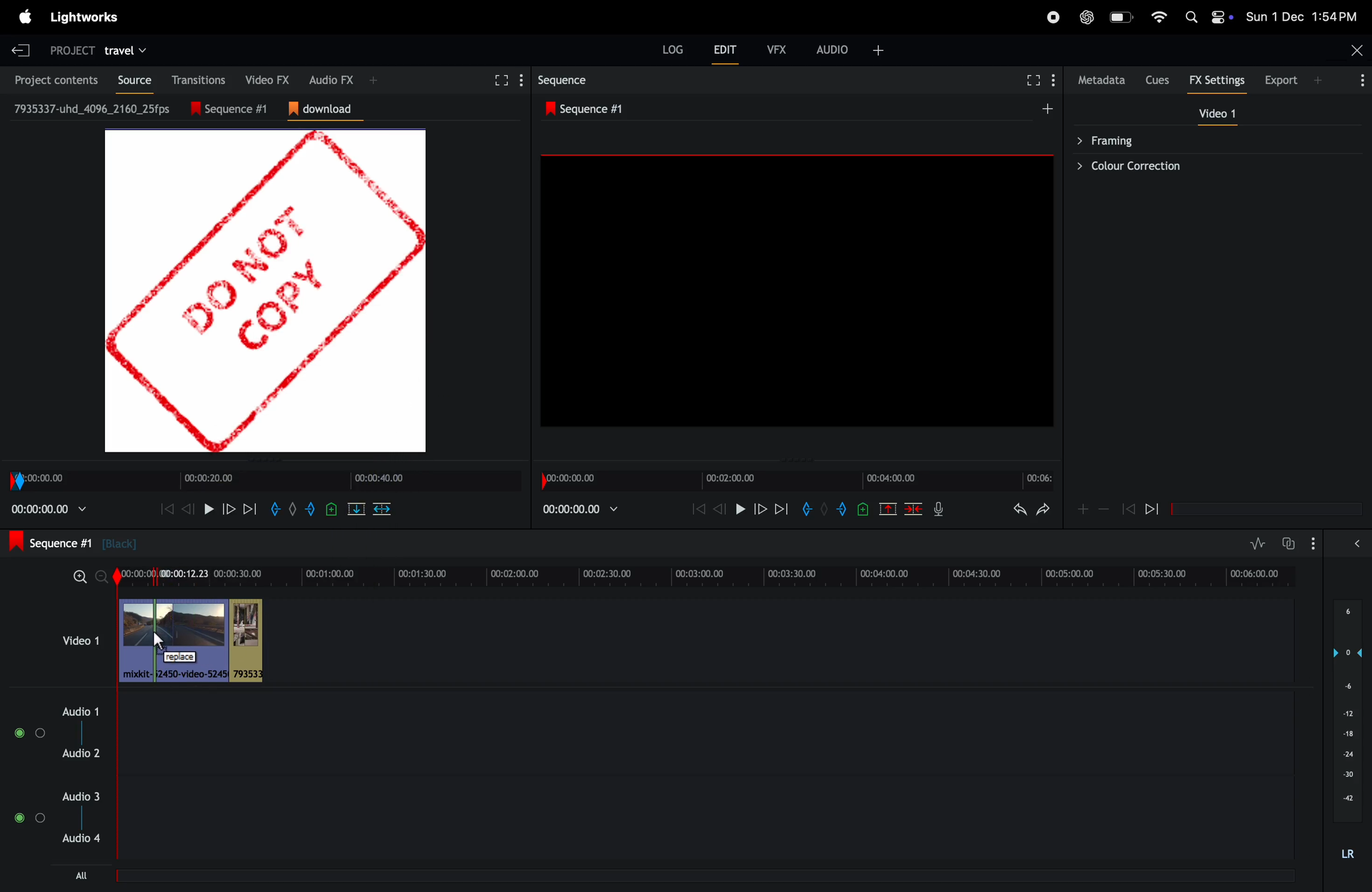 Image resolution: width=1372 pixels, height=892 pixels. What do you see at coordinates (777, 50) in the screenshot?
I see `vfx` at bounding box center [777, 50].